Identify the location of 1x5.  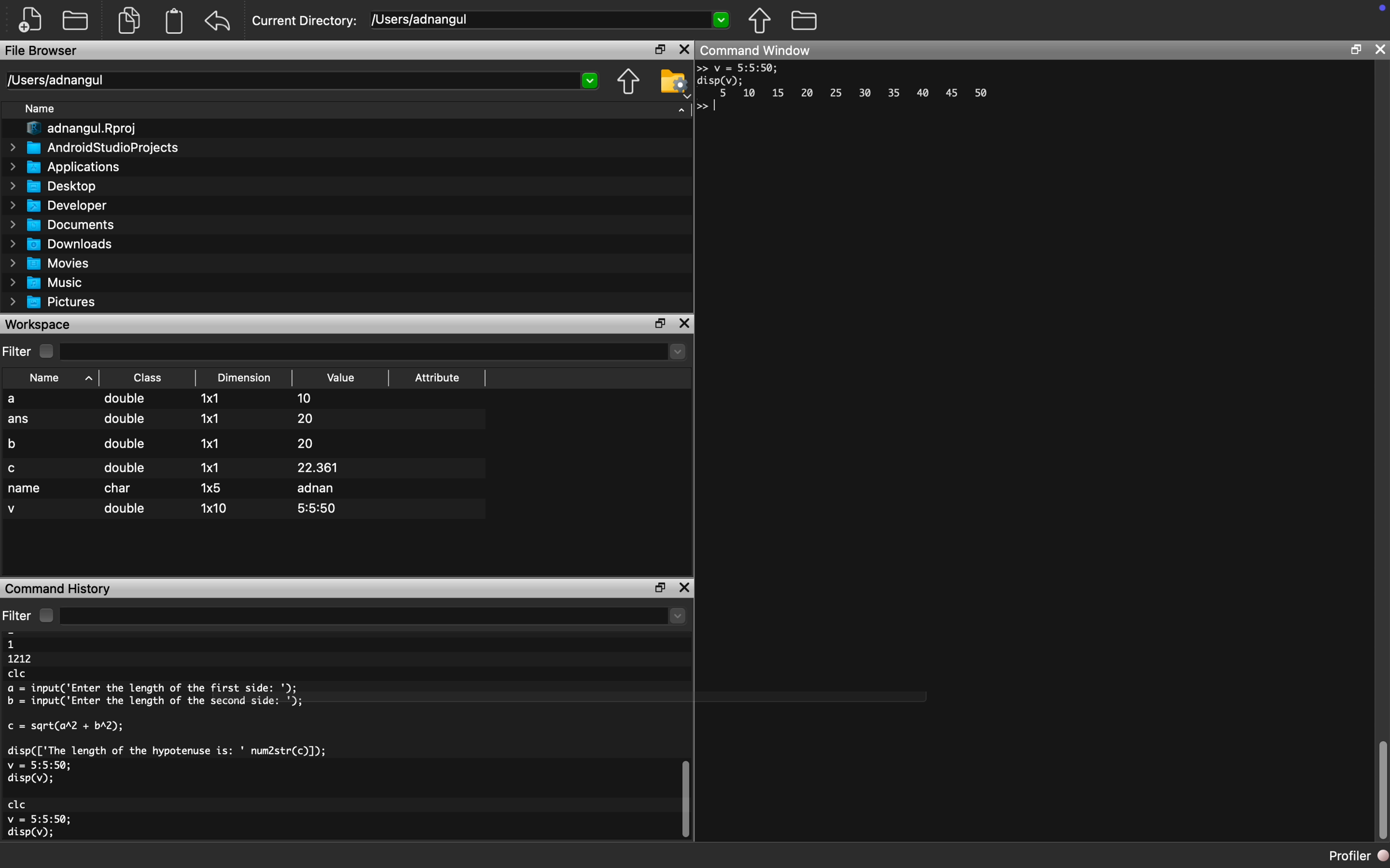
(211, 488).